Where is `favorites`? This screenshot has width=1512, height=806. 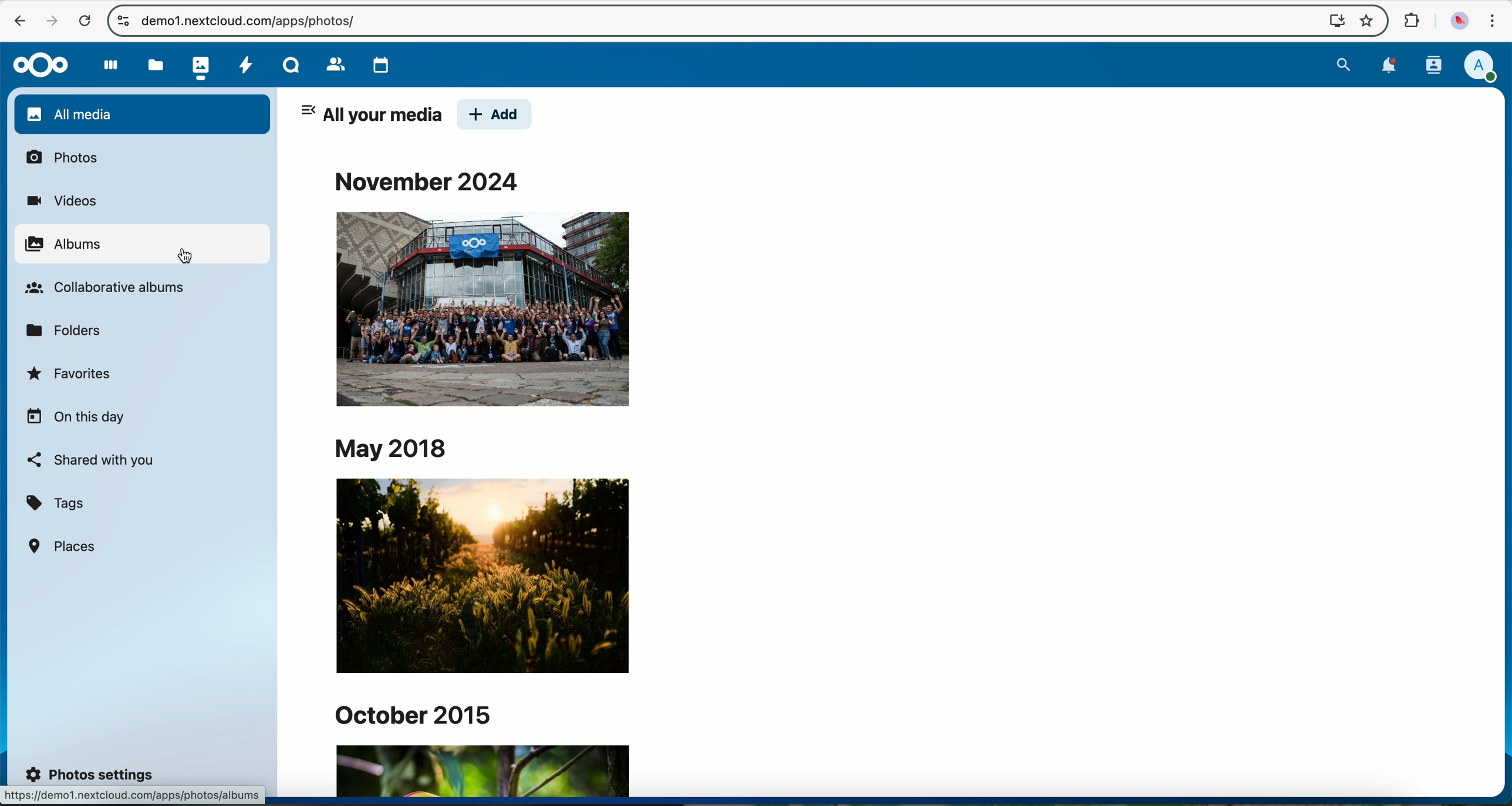
favorites is located at coordinates (1365, 22).